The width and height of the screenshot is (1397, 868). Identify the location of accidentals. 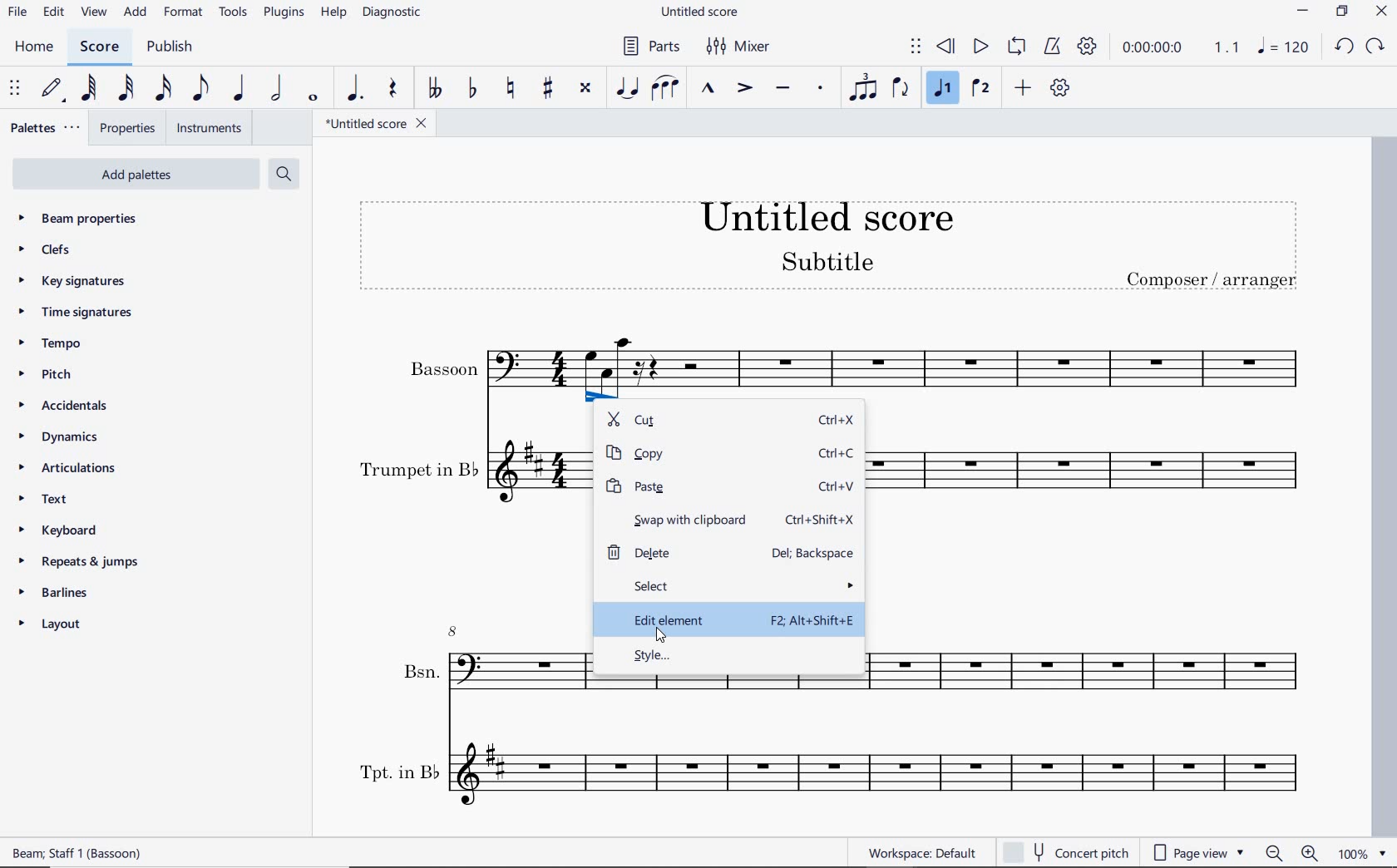
(67, 404).